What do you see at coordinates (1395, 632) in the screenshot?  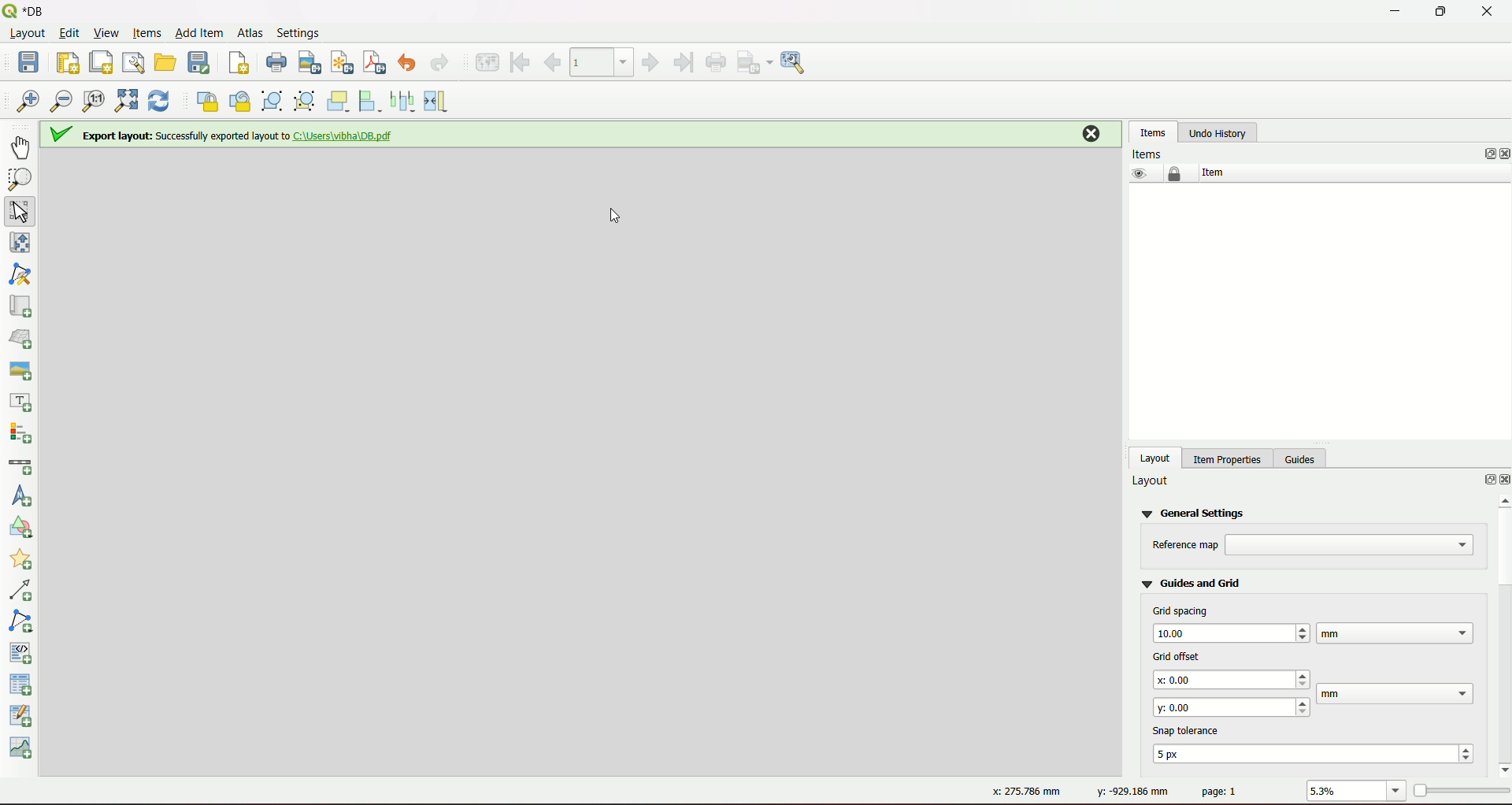 I see `text box` at bounding box center [1395, 632].